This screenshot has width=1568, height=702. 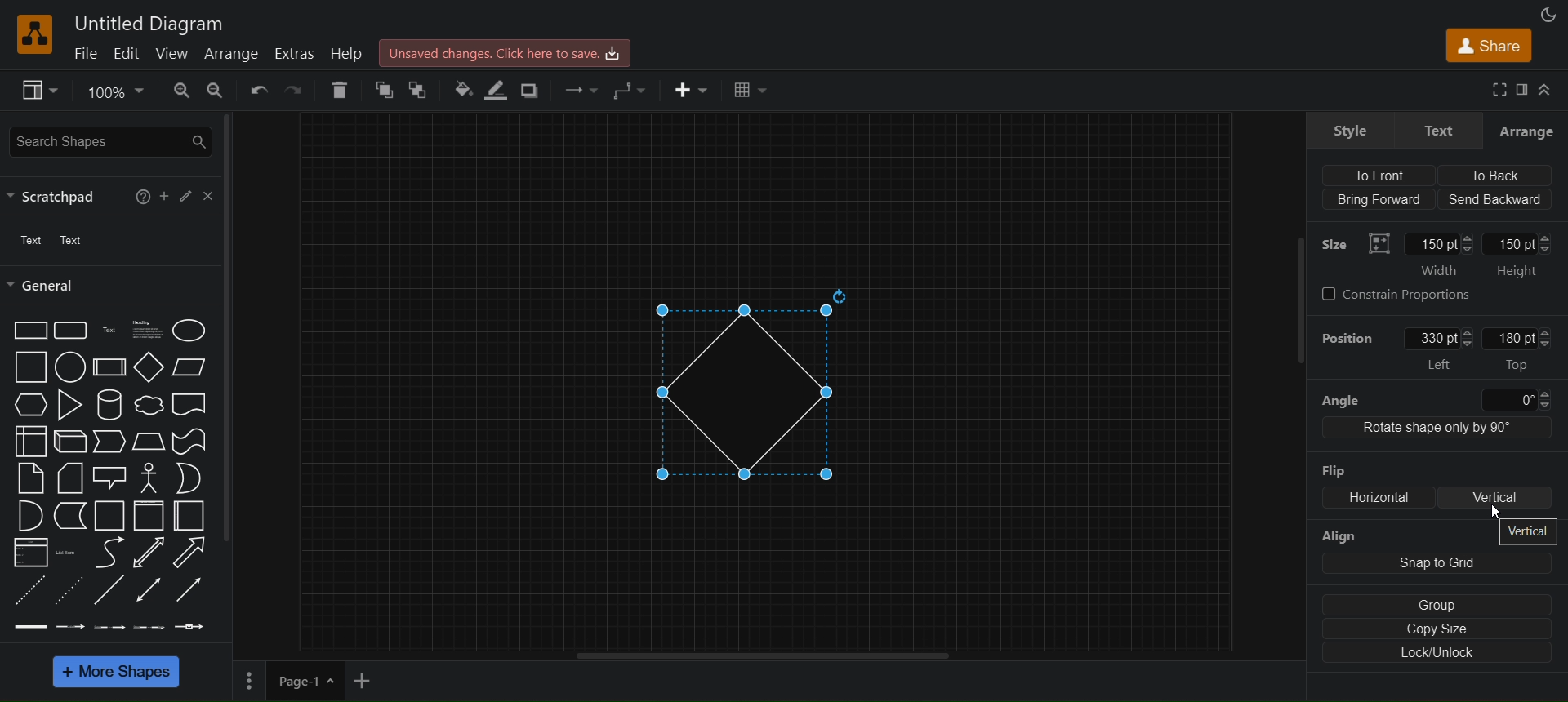 I want to click on extras, so click(x=296, y=51).